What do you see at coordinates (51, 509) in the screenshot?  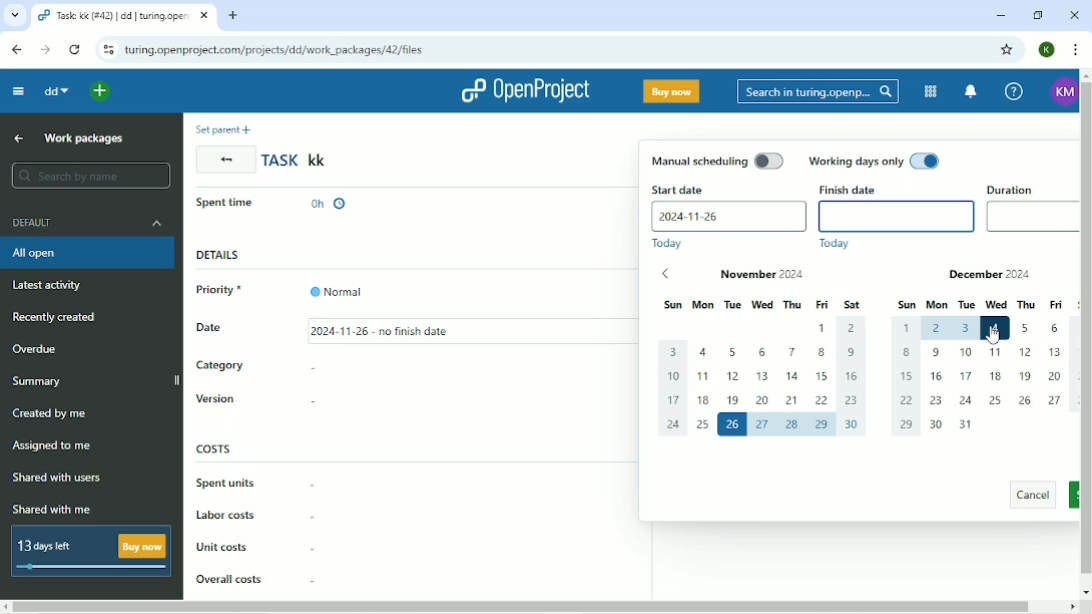 I see `Shared with me` at bounding box center [51, 509].